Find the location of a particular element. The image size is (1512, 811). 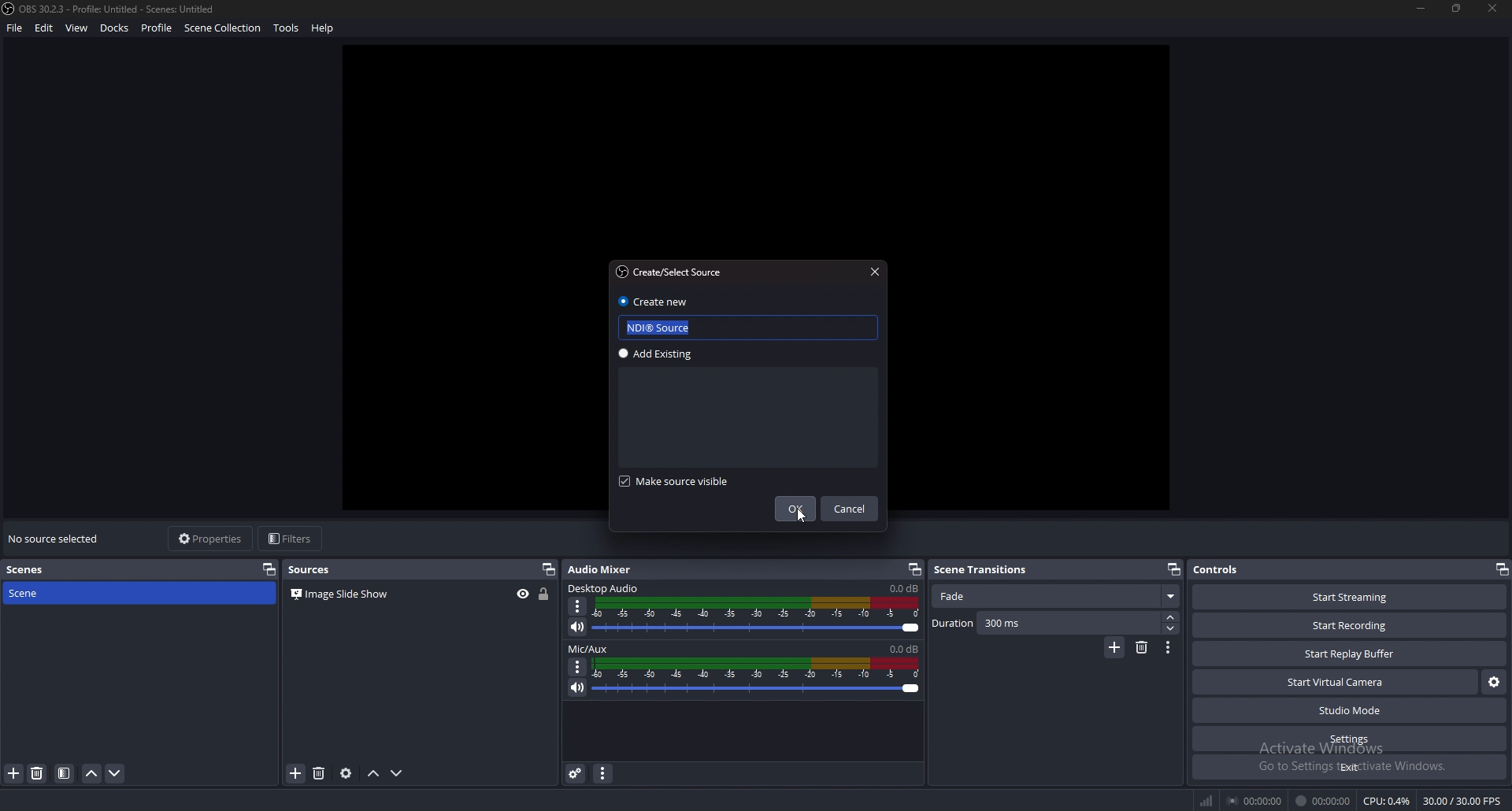

configure virtual camera is located at coordinates (1494, 682).